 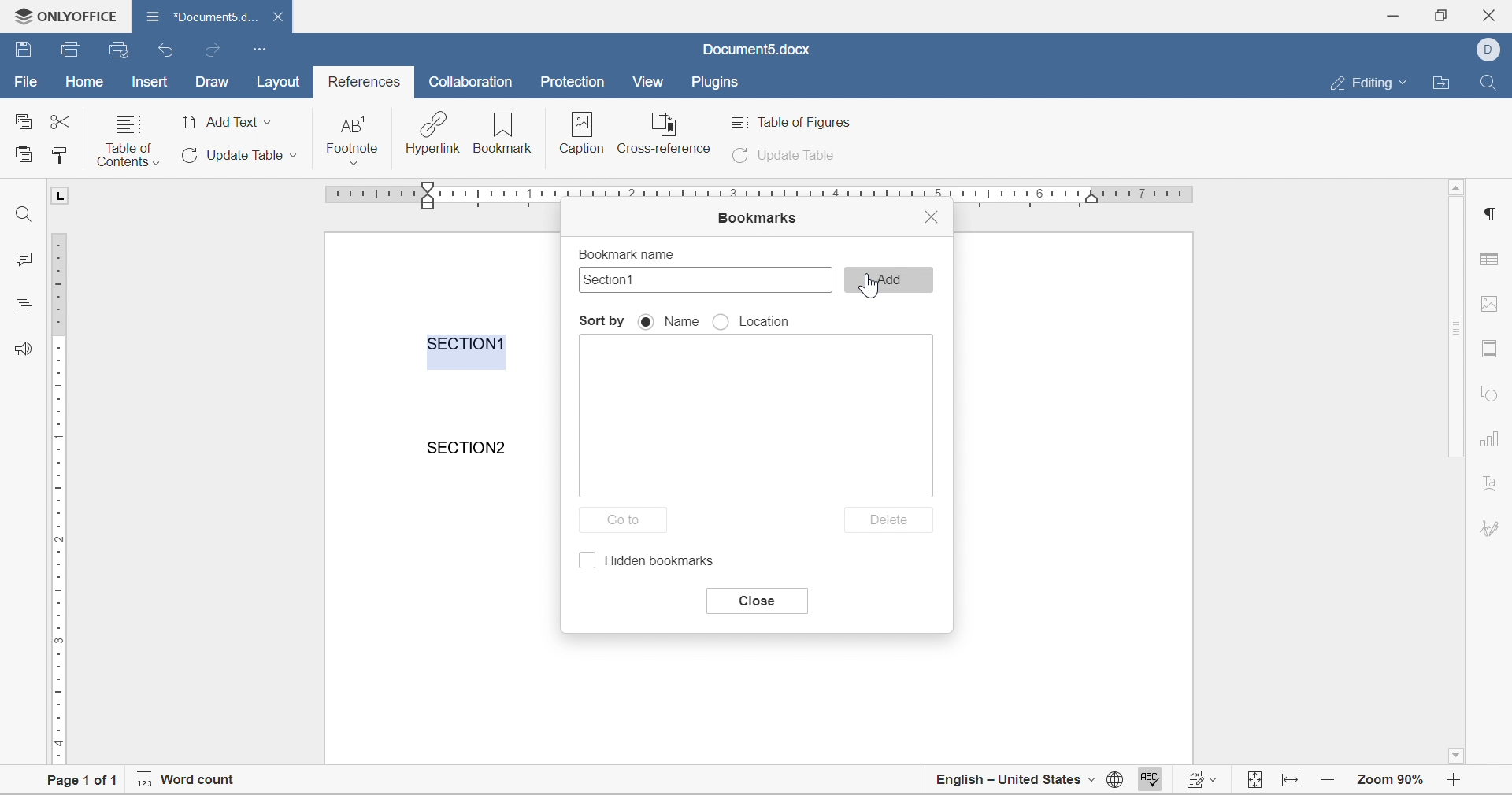 What do you see at coordinates (228, 122) in the screenshot?
I see `add text` at bounding box center [228, 122].